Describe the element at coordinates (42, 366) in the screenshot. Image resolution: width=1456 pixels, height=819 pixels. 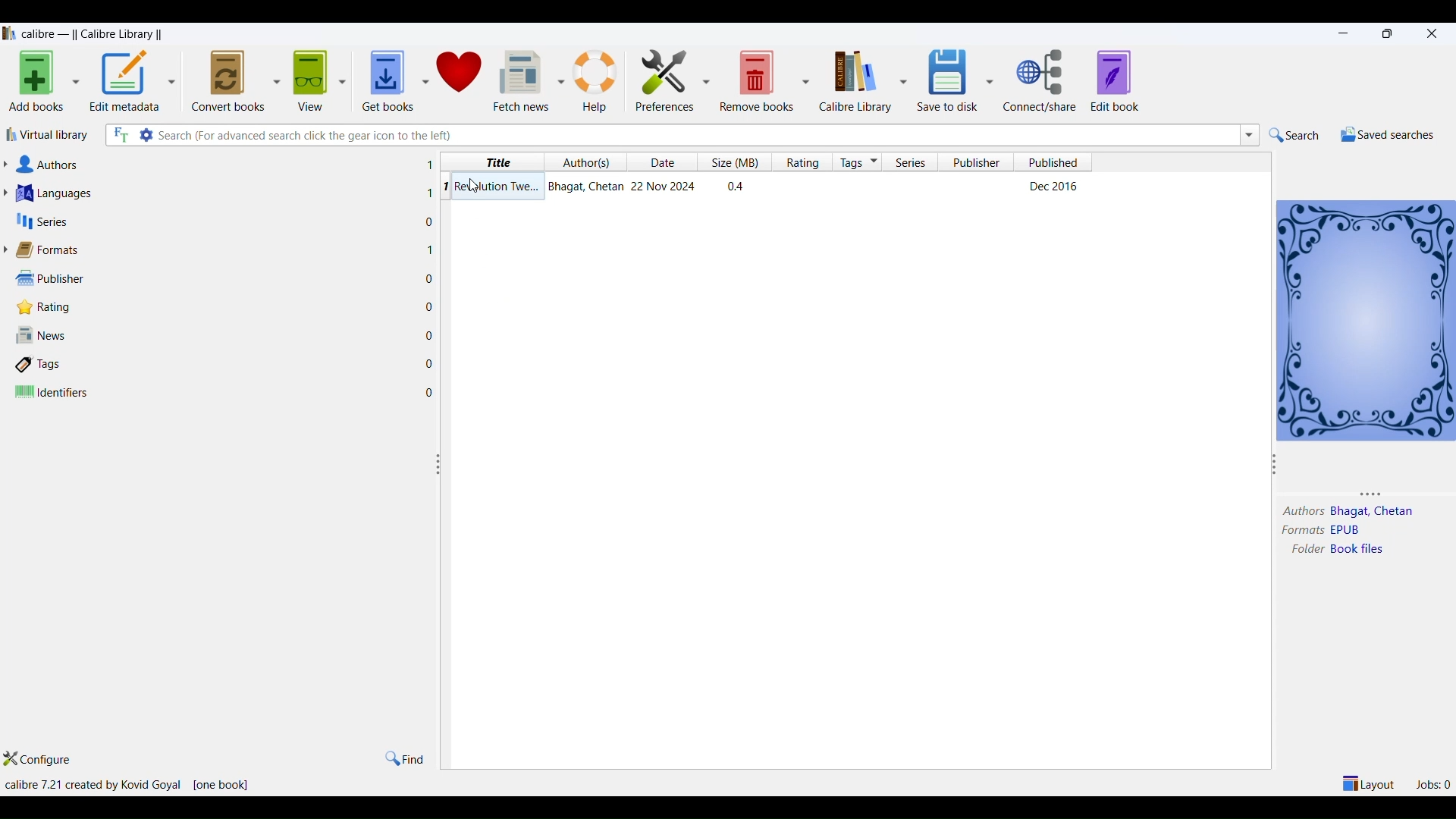
I see `tags` at that location.